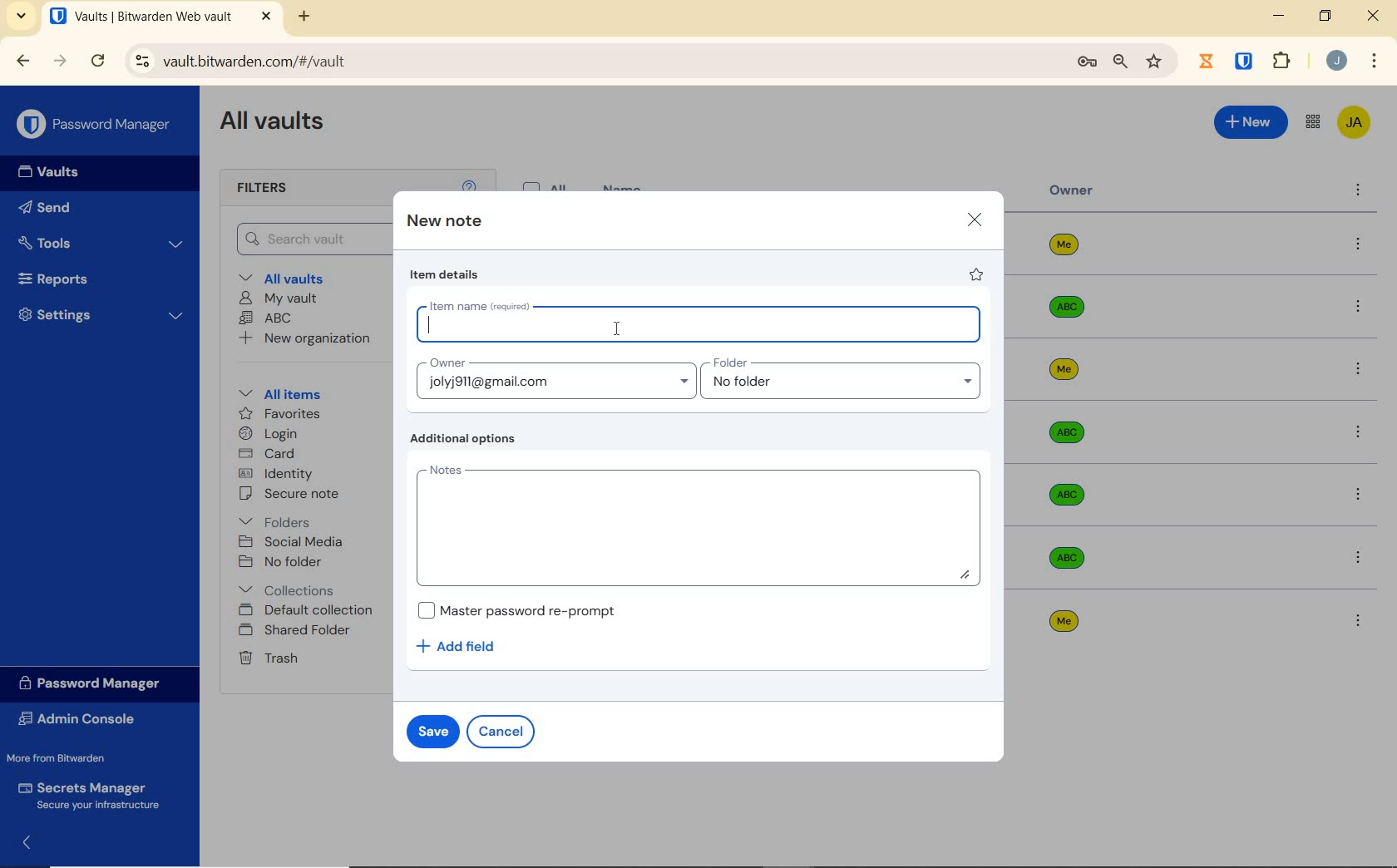 This screenshot has height=868, width=1397. What do you see at coordinates (82, 719) in the screenshot?
I see `Admin Console` at bounding box center [82, 719].